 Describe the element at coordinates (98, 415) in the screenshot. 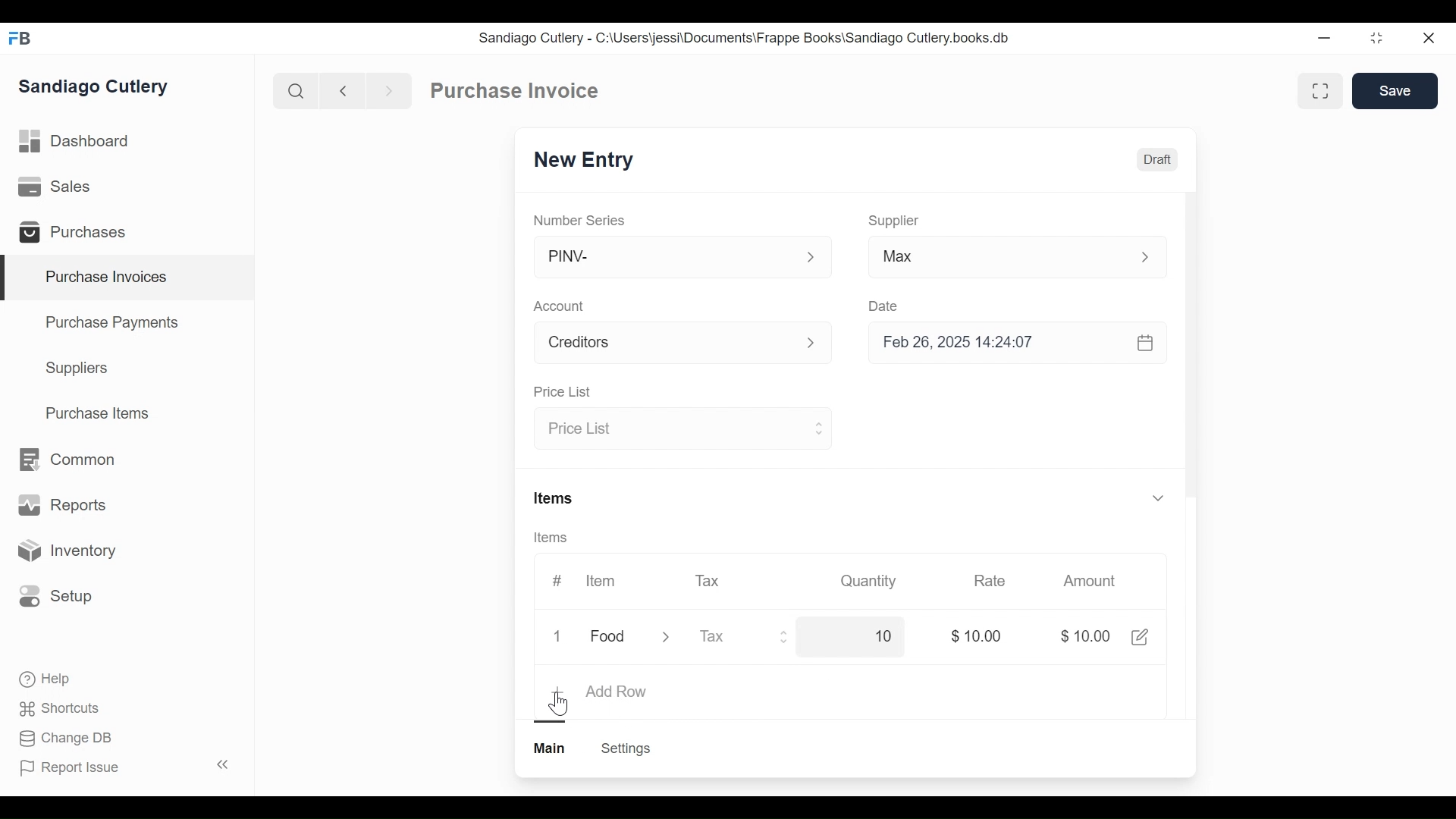

I see `Purchase Items` at that location.